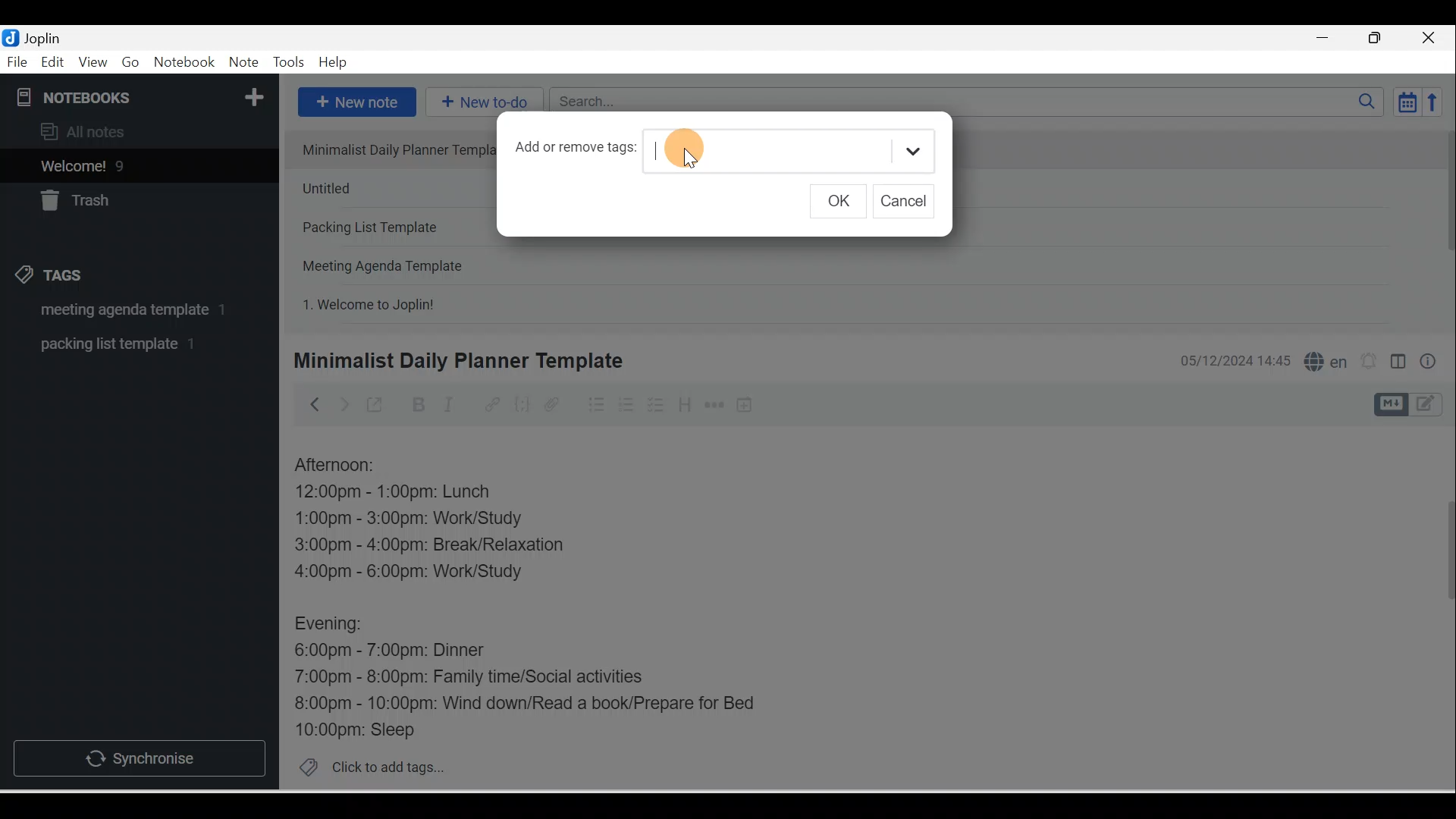  I want to click on New to-do, so click(481, 103).